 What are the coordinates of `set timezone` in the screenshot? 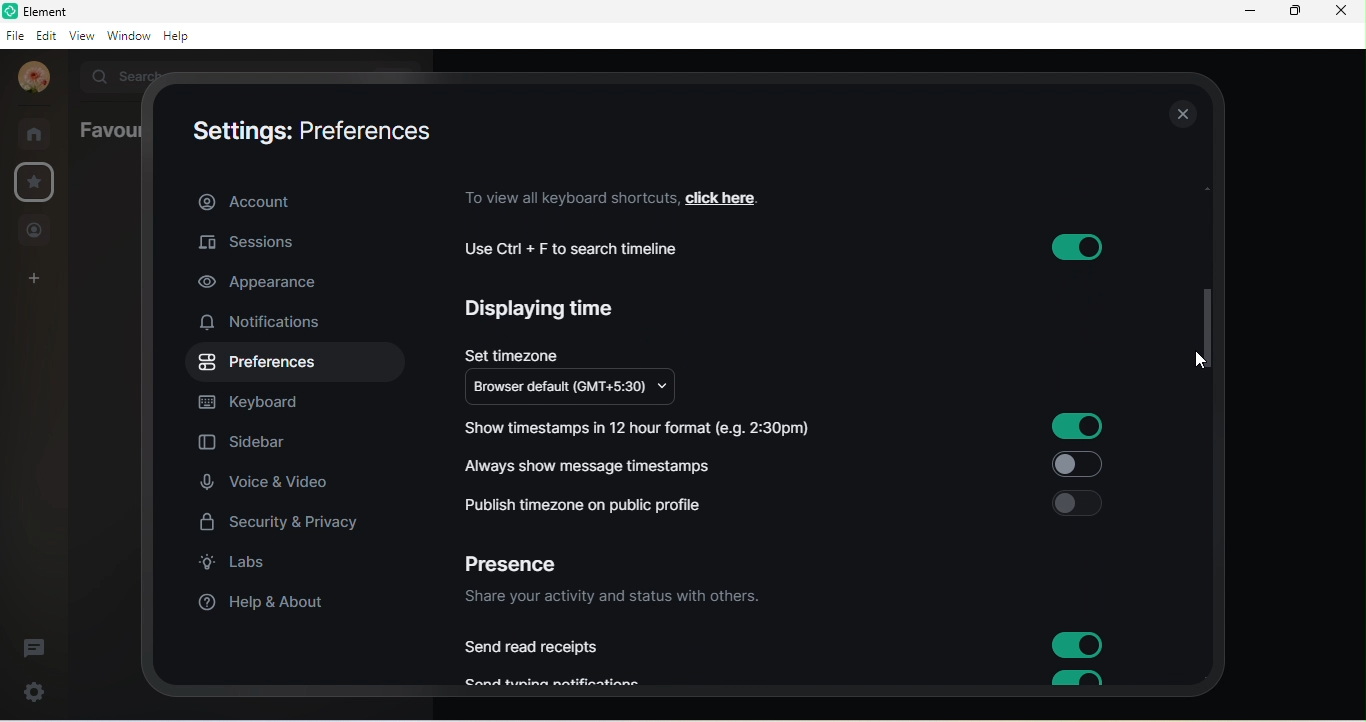 It's located at (513, 351).